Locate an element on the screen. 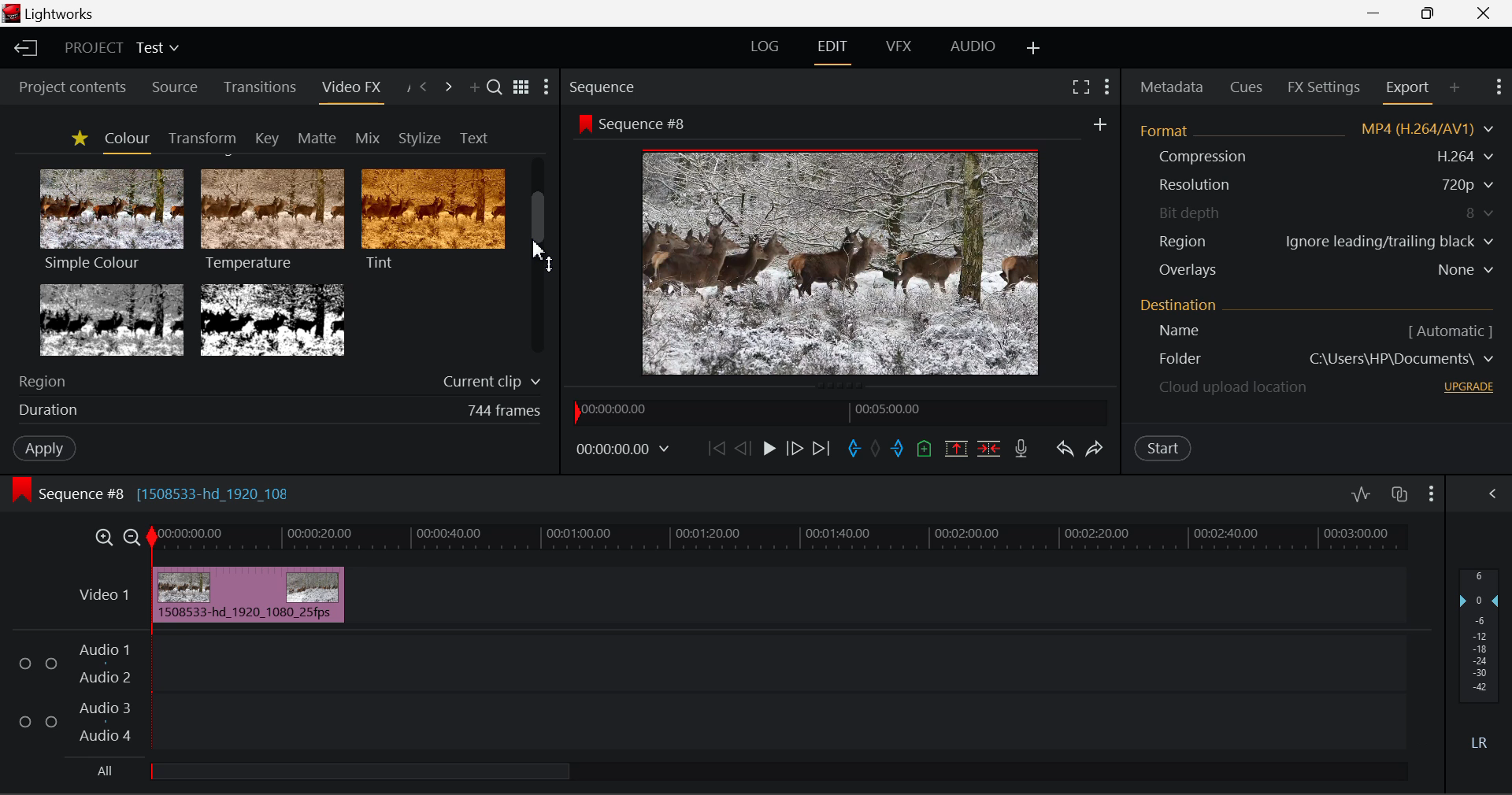  UPGRADE is located at coordinates (1469, 386).